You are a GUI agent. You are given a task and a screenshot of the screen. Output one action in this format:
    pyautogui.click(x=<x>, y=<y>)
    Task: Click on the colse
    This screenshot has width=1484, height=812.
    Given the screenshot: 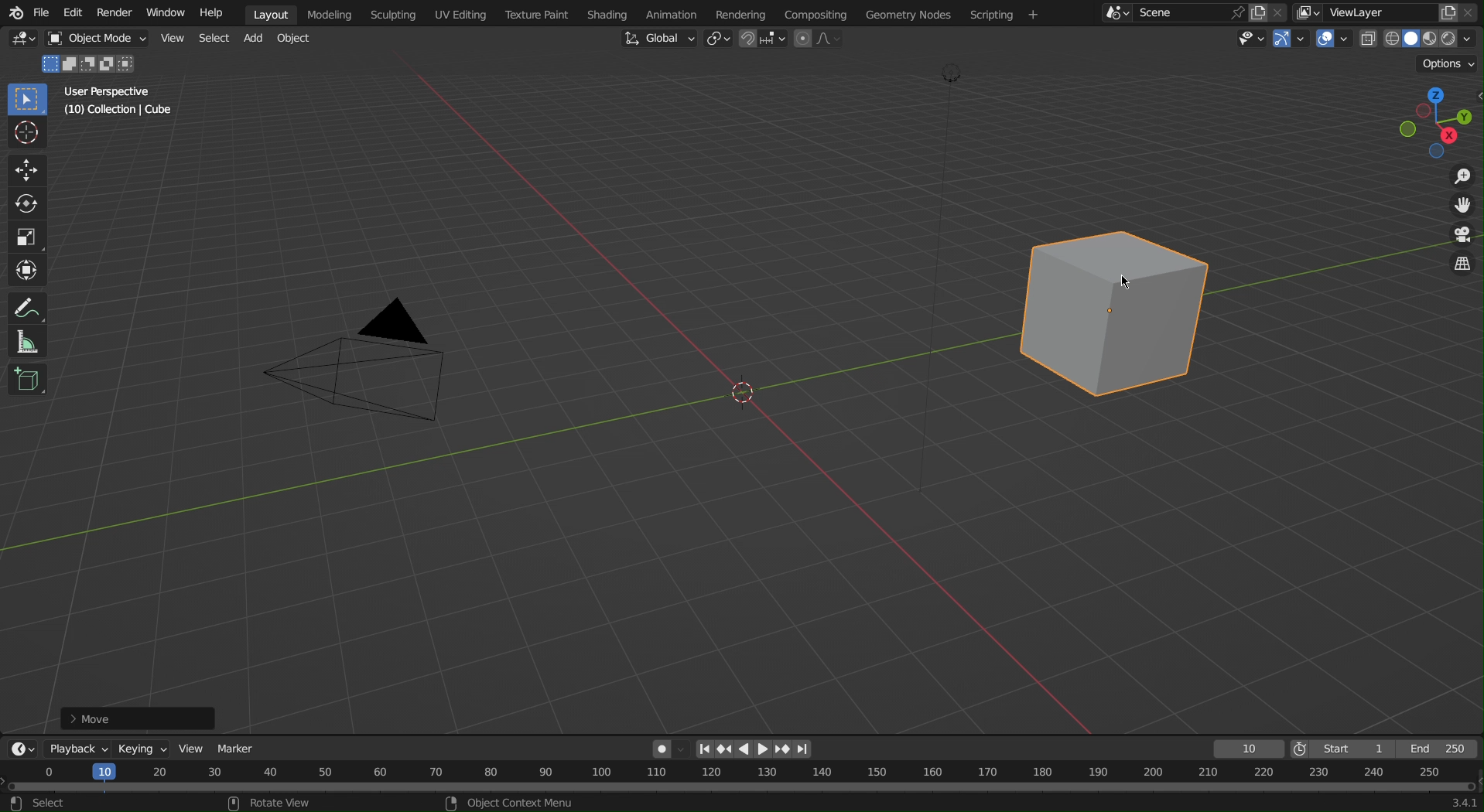 What is the action you would take?
    pyautogui.click(x=1284, y=11)
    